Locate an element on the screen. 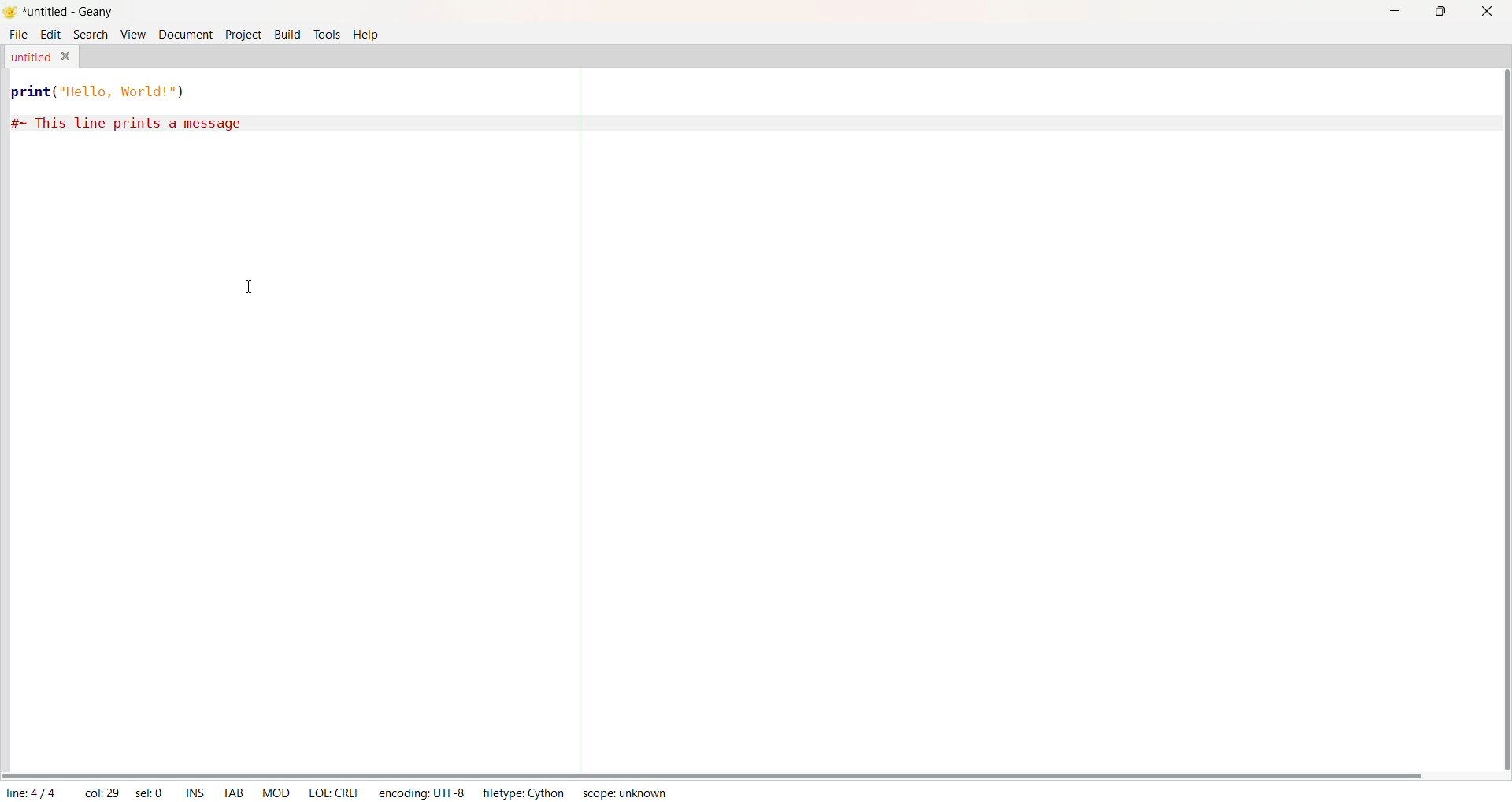 The width and height of the screenshot is (1512, 802). Build is located at coordinates (284, 33).